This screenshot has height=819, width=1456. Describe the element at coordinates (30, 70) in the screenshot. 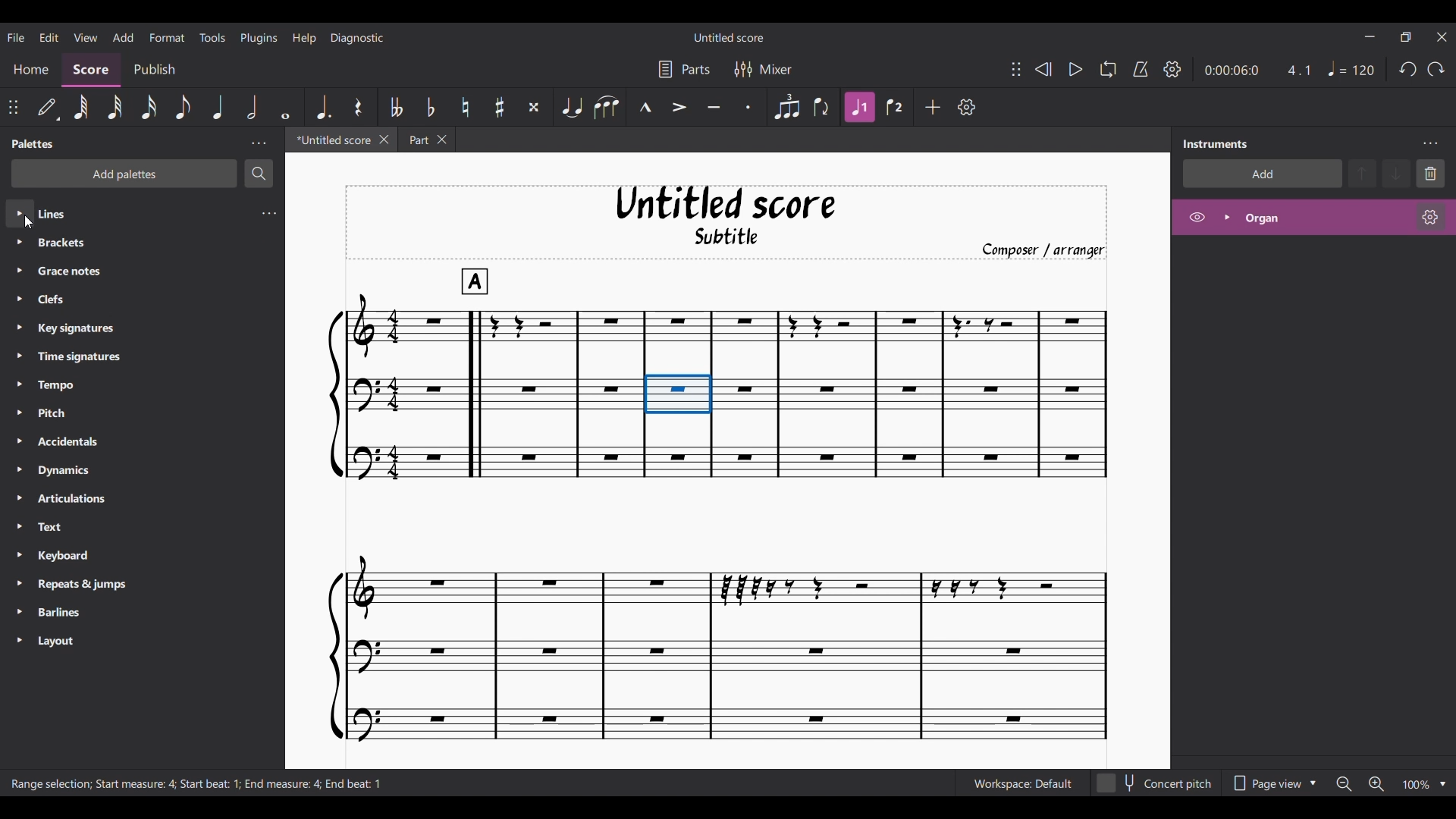

I see `Home section` at that location.